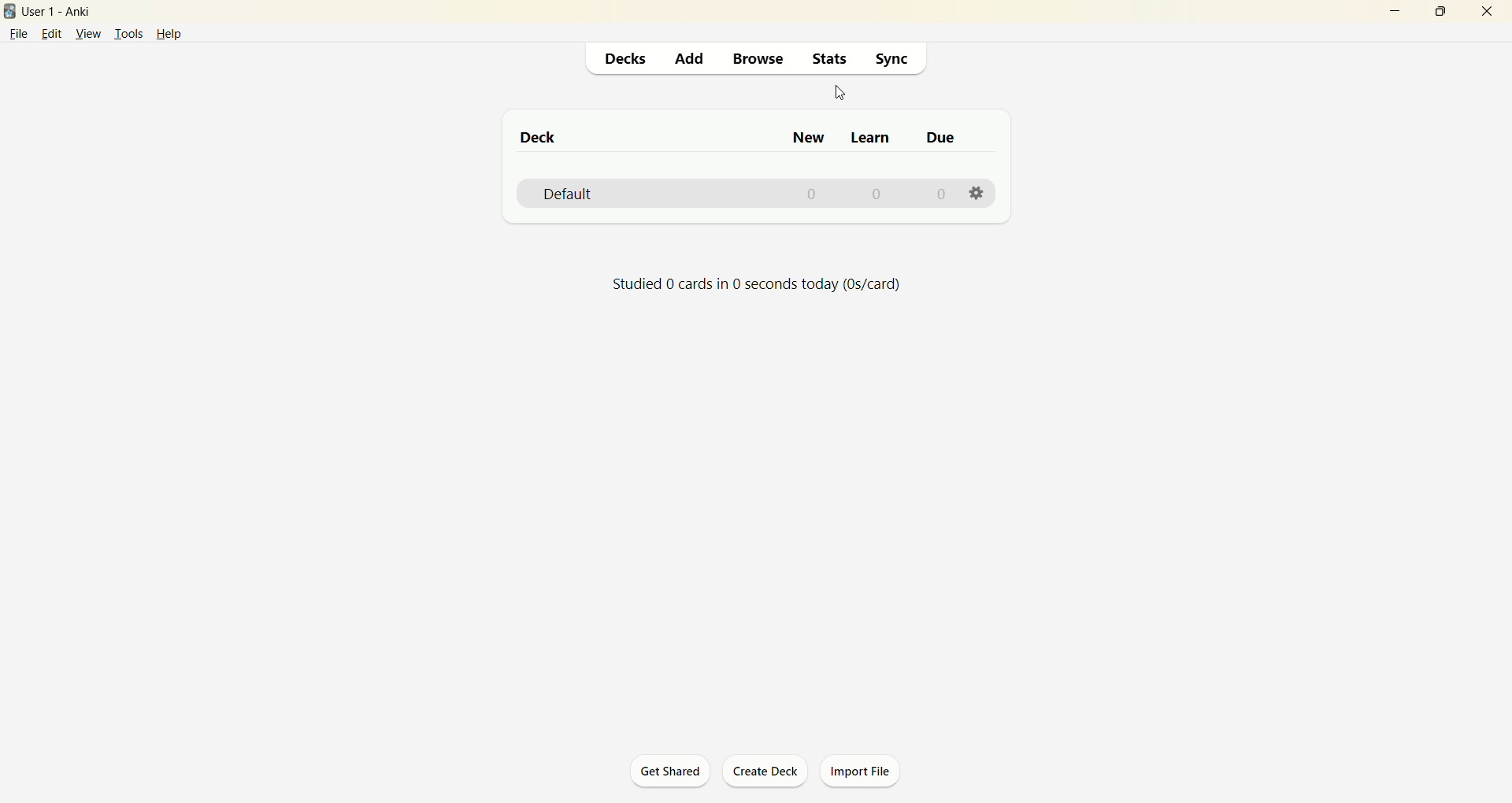 The width and height of the screenshot is (1512, 803). Describe the element at coordinates (688, 60) in the screenshot. I see `add` at that location.